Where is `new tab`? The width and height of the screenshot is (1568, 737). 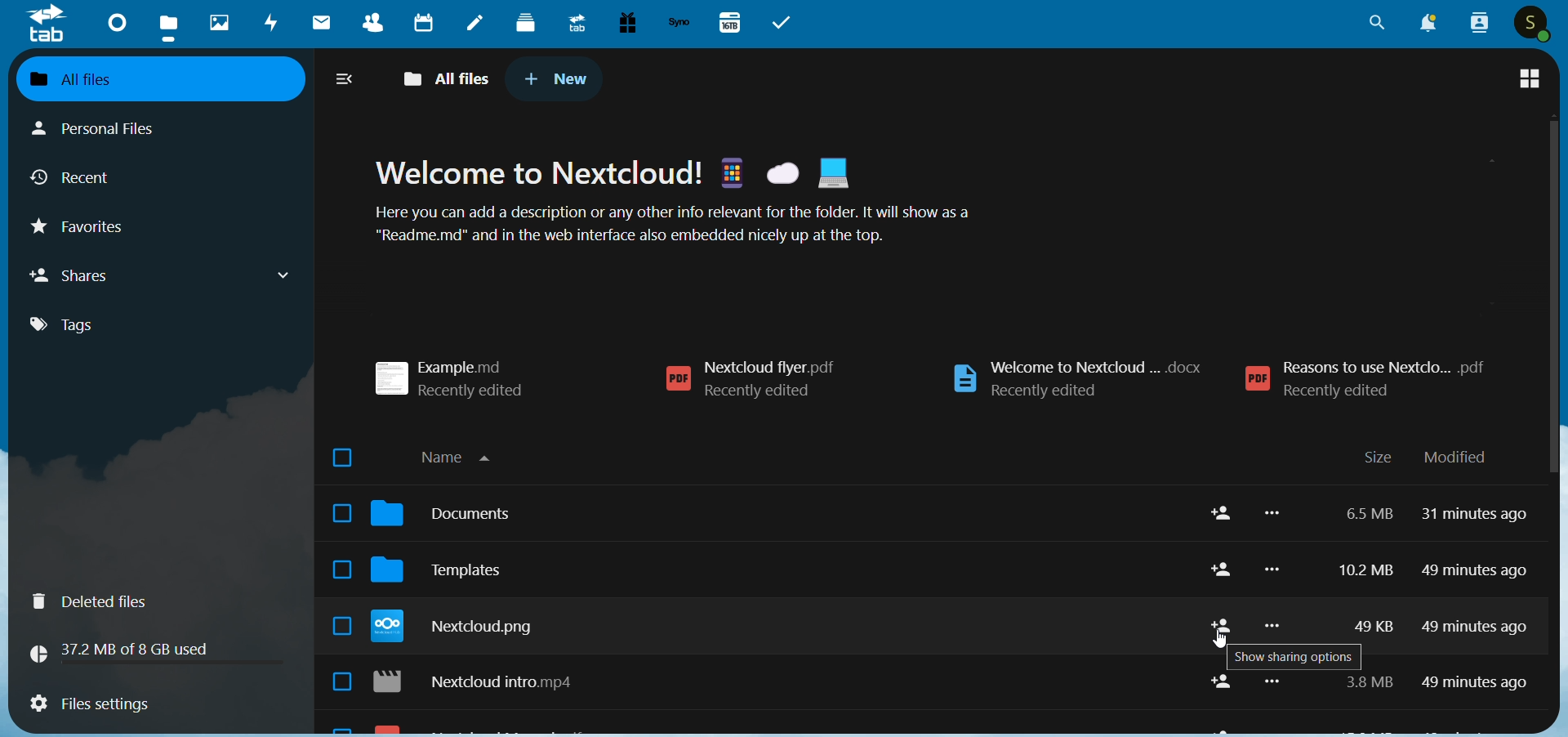
new tab is located at coordinates (557, 78).